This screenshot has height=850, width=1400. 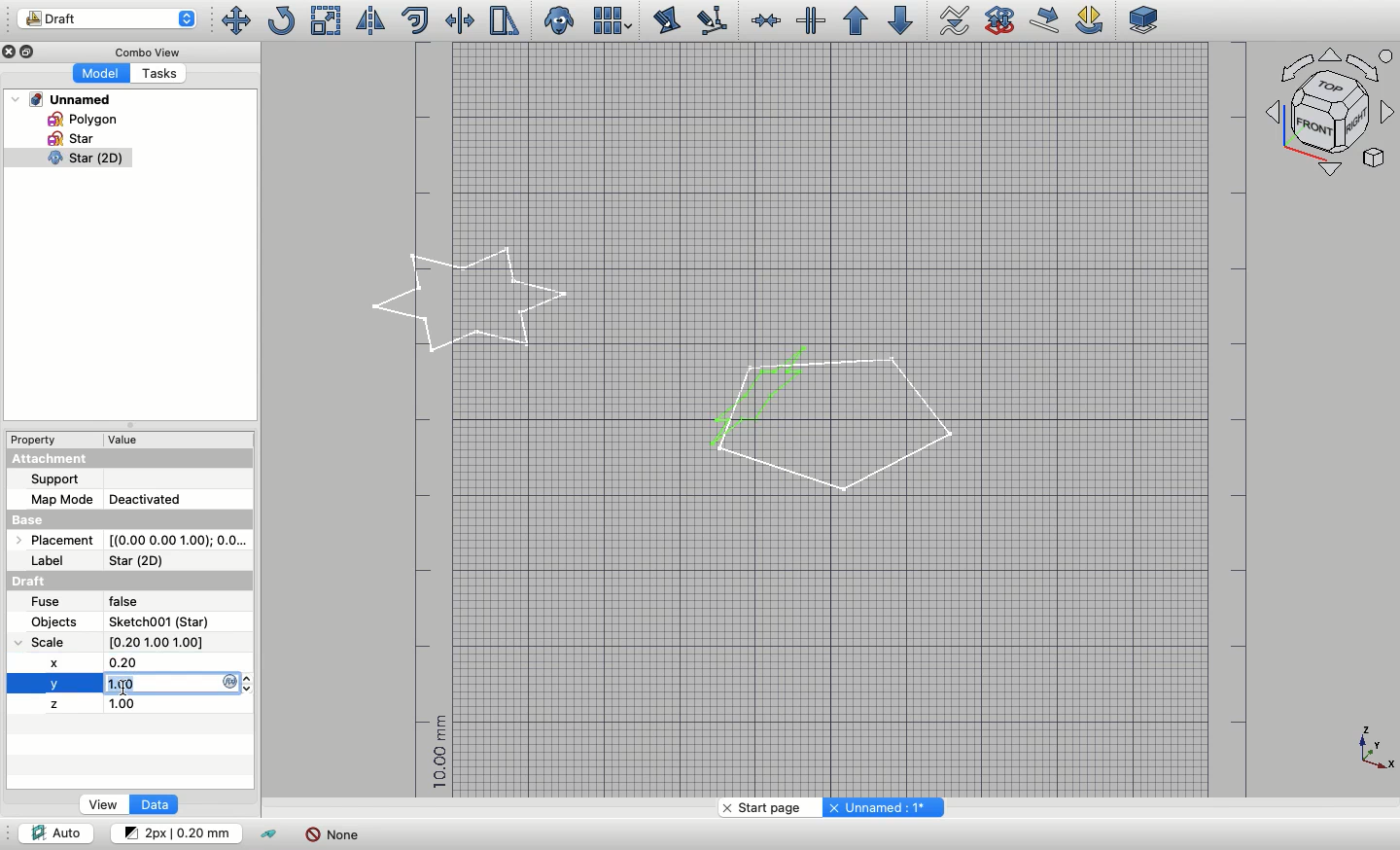 I want to click on Change default style for new objects, so click(x=174, y=832).